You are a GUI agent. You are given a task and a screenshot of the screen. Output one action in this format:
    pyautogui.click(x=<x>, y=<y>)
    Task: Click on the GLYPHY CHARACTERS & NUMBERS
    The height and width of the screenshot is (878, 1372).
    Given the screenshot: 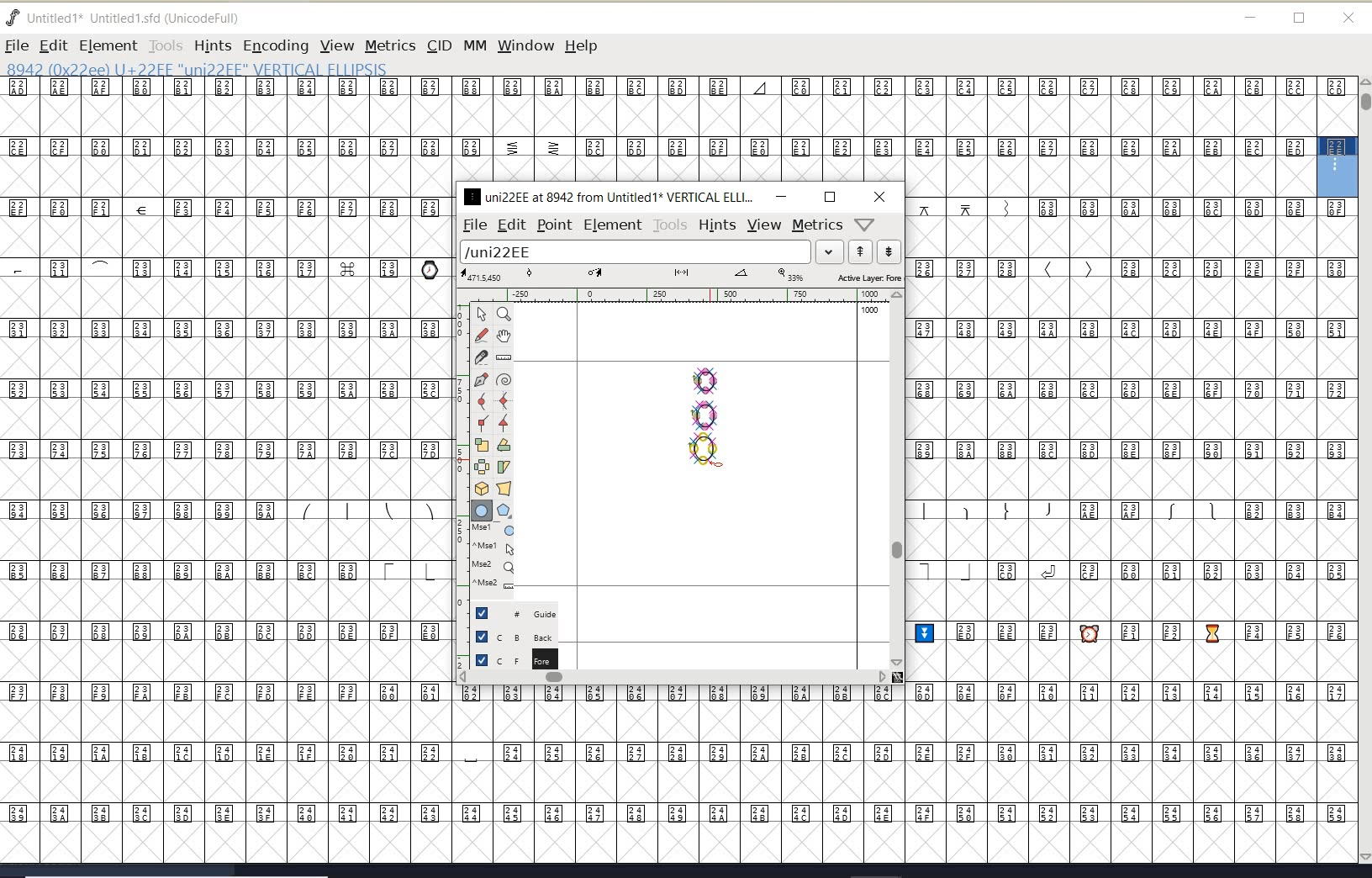 What is the action you would take?
    pyautogui.click(x=1133, y=530)
    